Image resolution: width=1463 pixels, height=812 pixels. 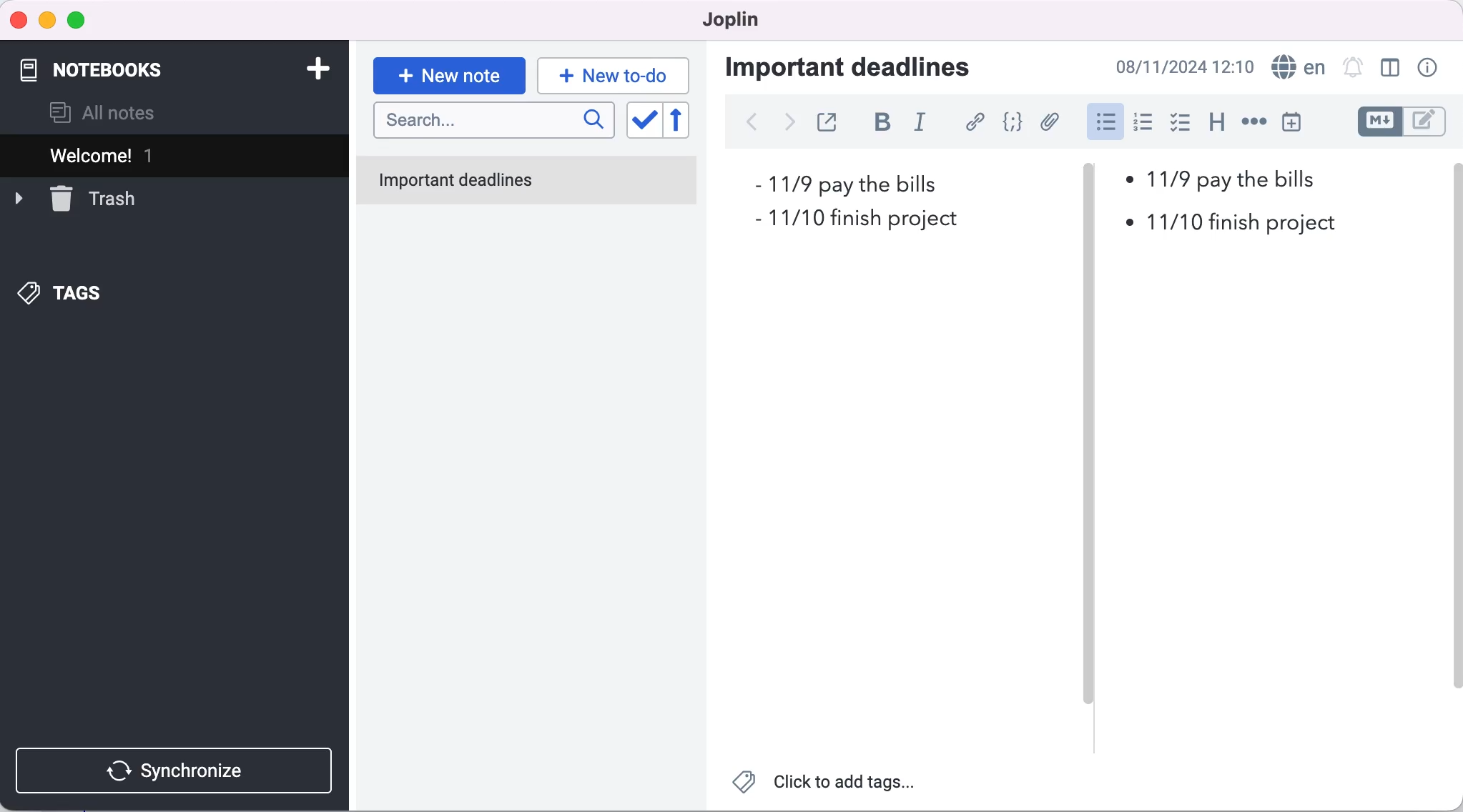 What do you see at coordinates (94, 199) in the screenshot?
I see `trash` at bounding box center [94, 199].